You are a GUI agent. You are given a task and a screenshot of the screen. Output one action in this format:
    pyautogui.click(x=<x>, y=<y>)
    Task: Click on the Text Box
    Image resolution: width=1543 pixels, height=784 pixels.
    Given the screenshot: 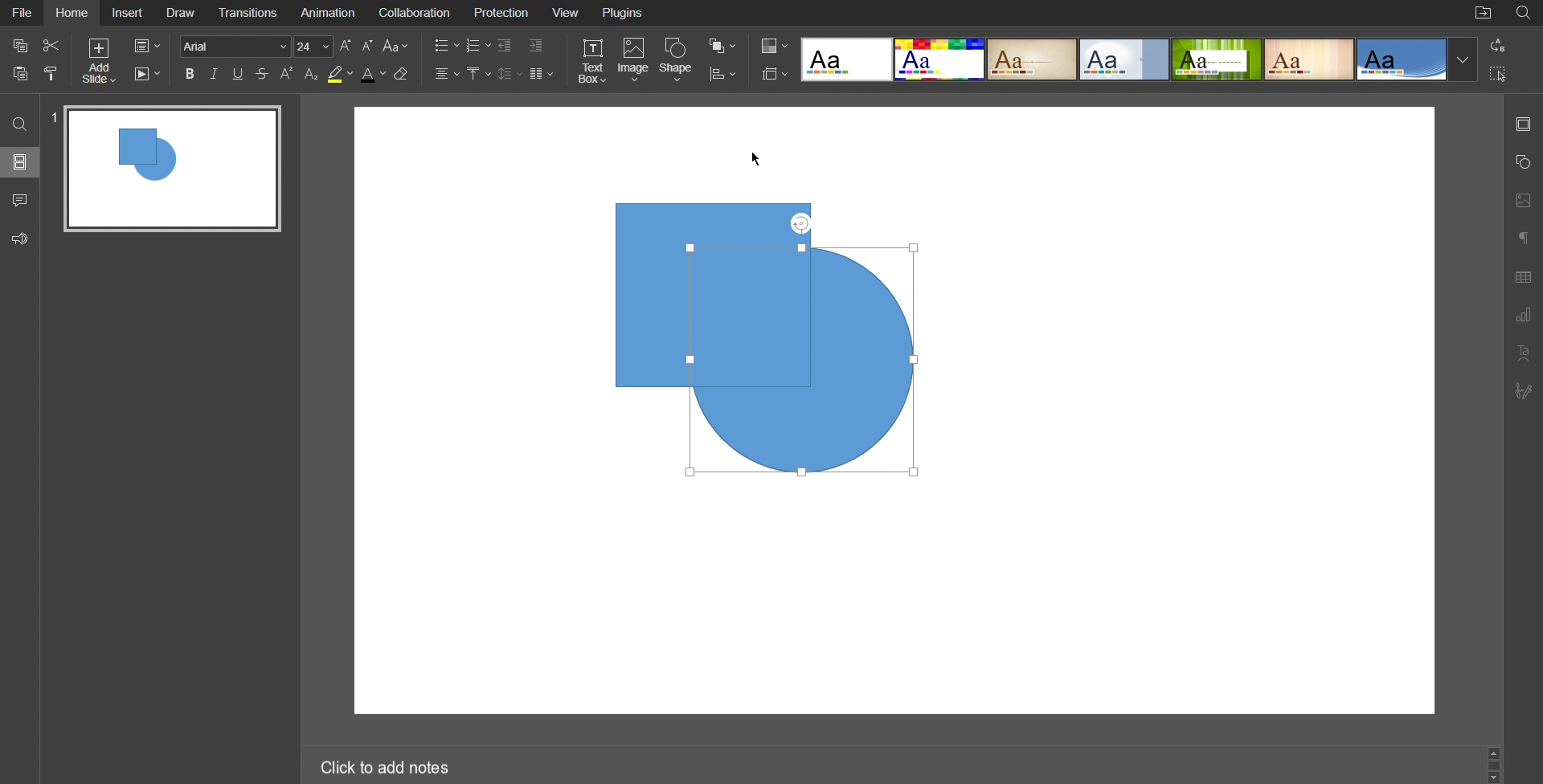 What is the action you would take?
    pyautogui.click(x=591, y=62)
    